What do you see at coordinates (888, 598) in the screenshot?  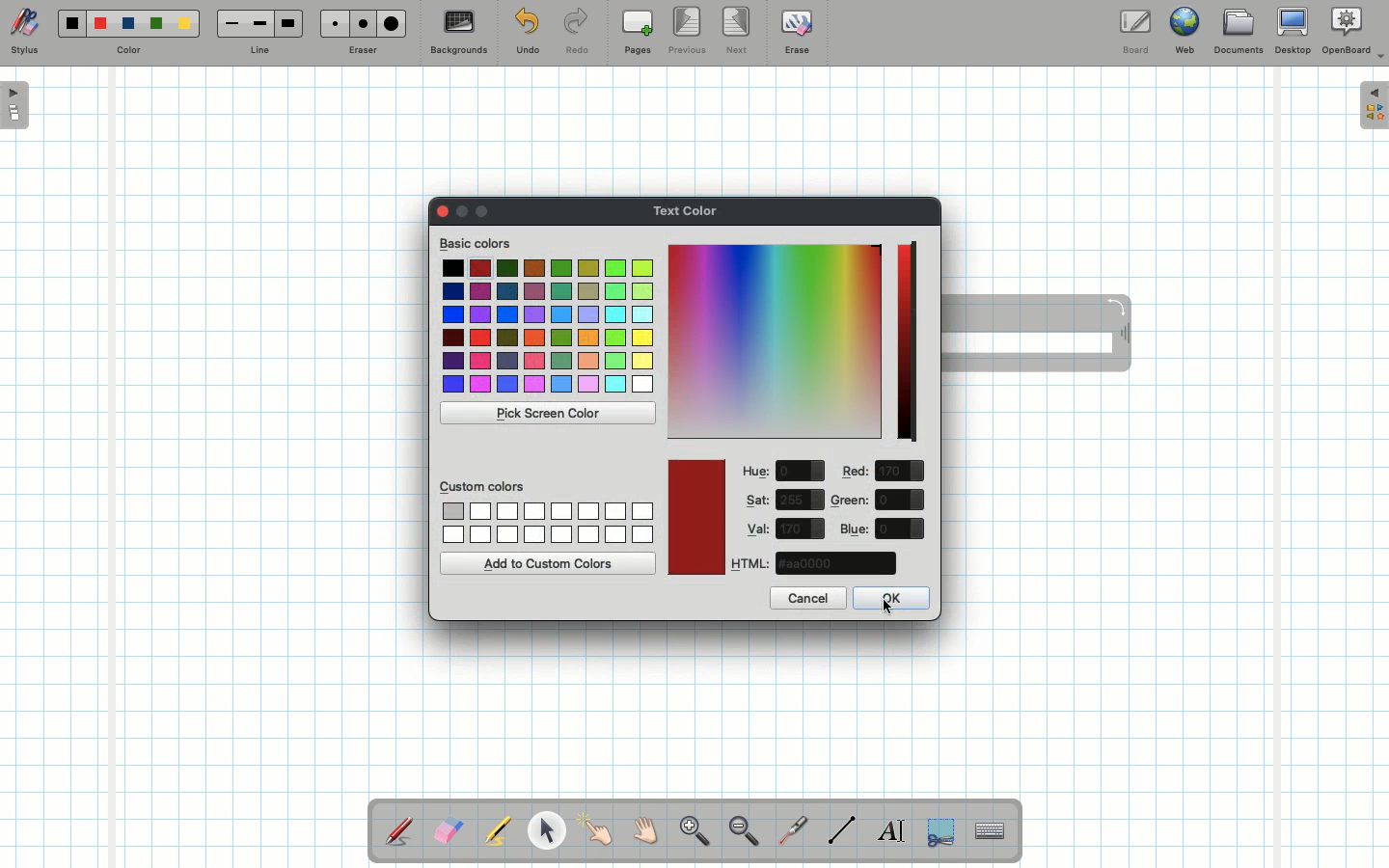 I see `OK` at bounding box center [888, 598].